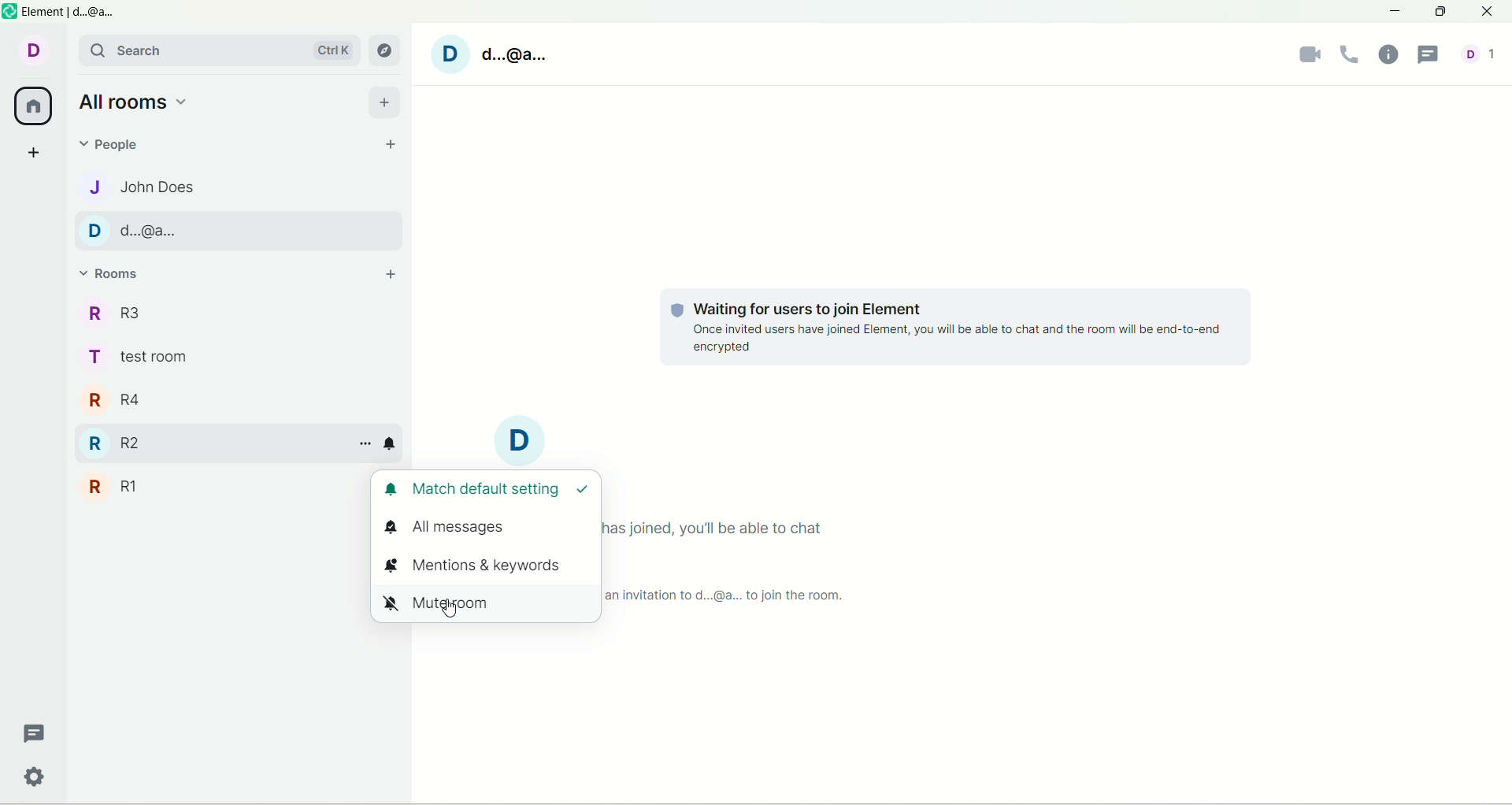 The width and height of the screenshot is (1512, 805). Describe the element at coordinates (447, 529) in the screenshot. I see `all messages` at that location.